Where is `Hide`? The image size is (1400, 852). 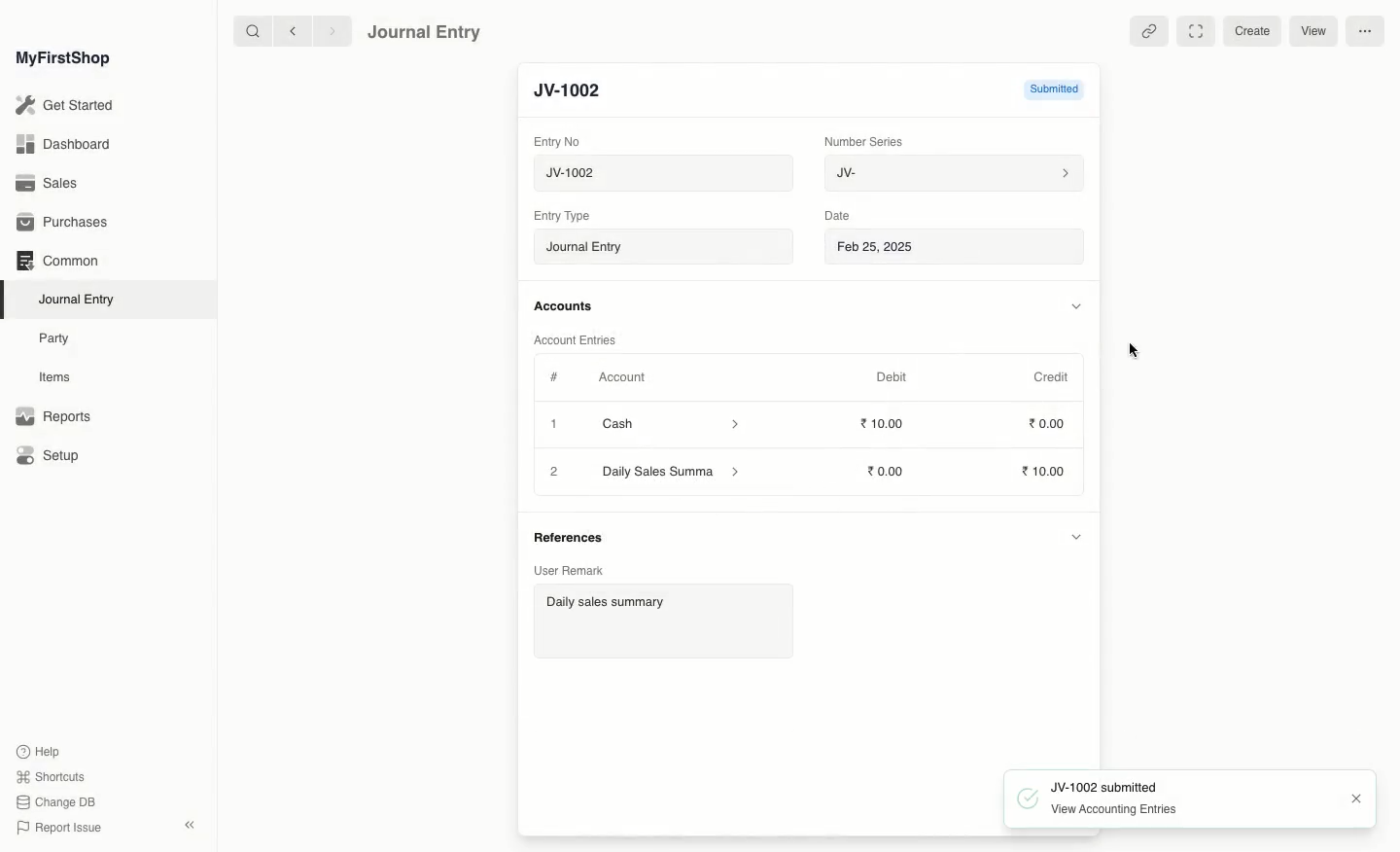 Hide is located at coordinates (1077, 306).